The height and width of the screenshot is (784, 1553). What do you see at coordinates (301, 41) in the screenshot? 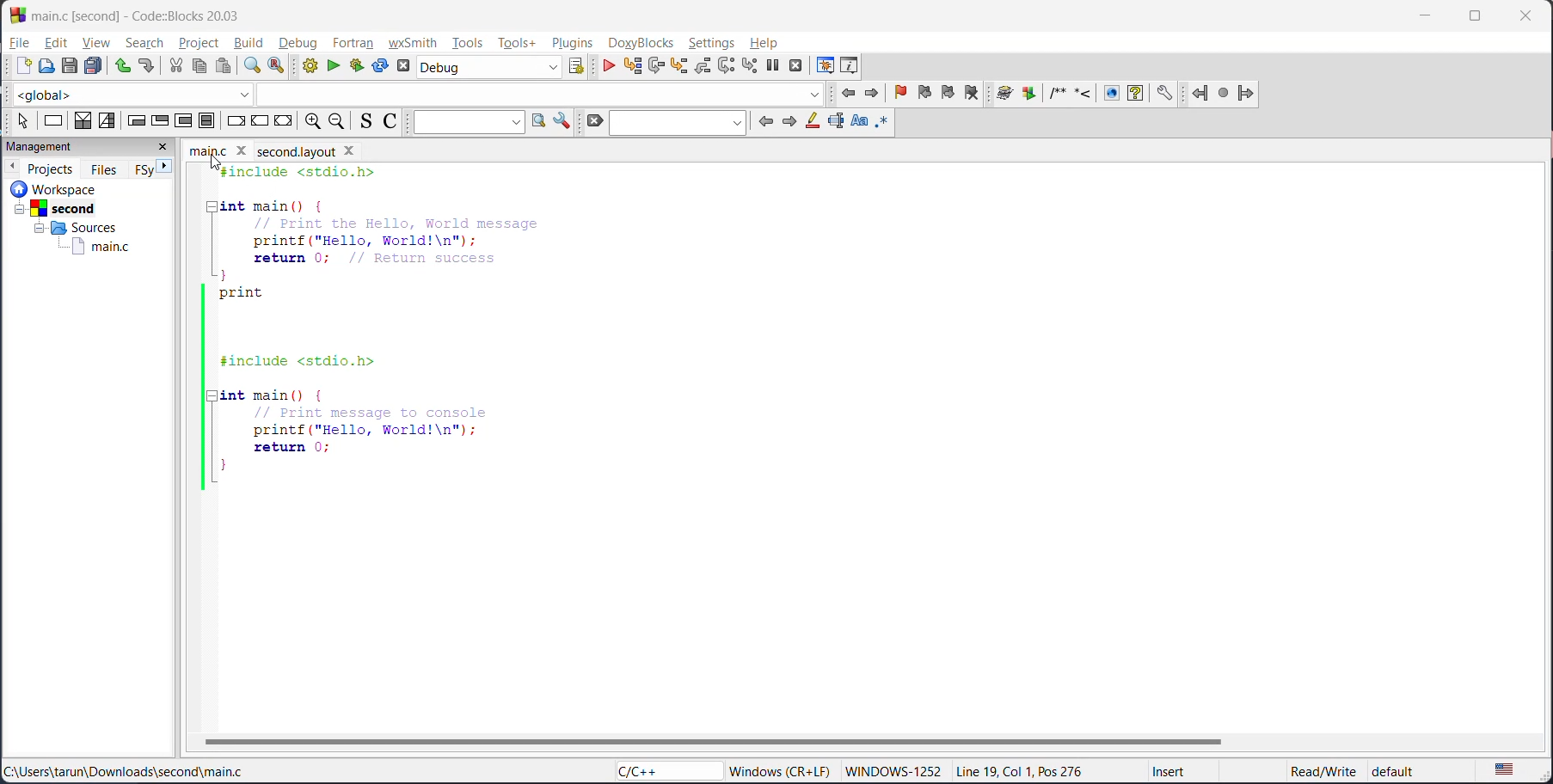
I see `debug` at bounding box center [301, 41].